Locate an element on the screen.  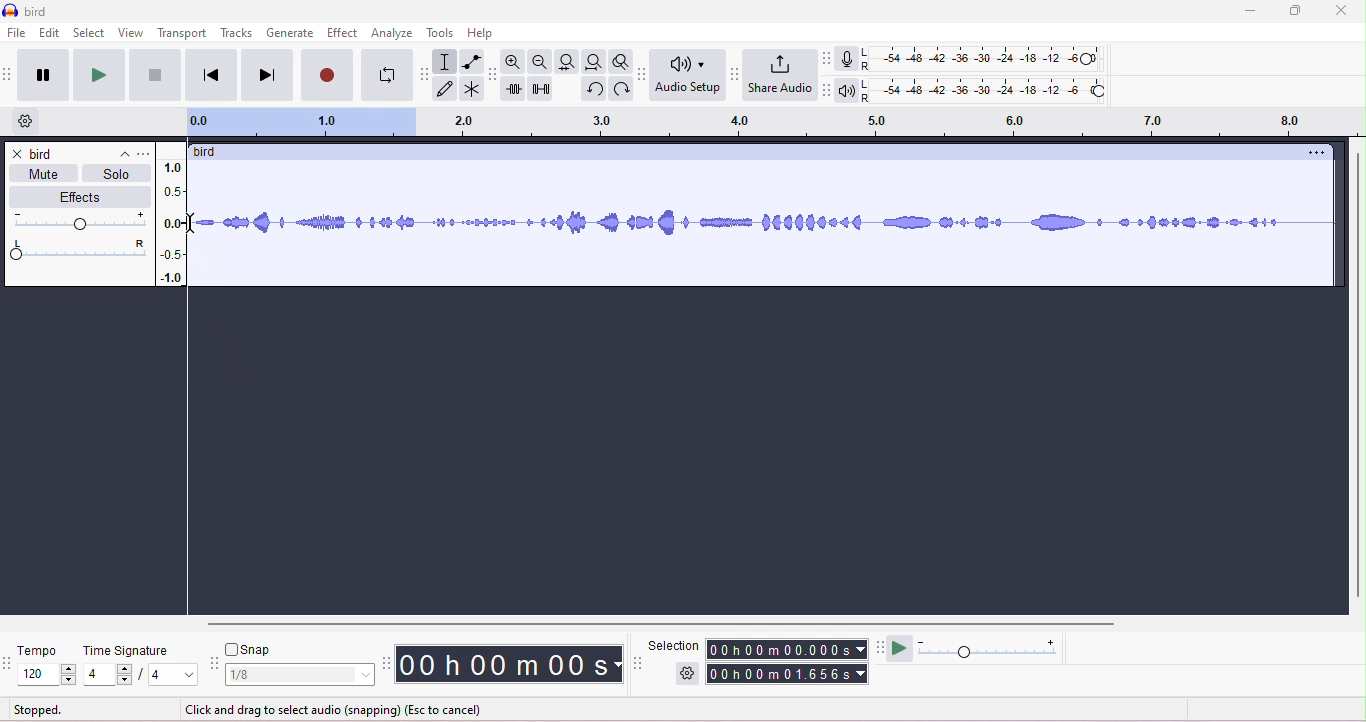
play at speed/play at speed once is located at coordinates (902, 649).